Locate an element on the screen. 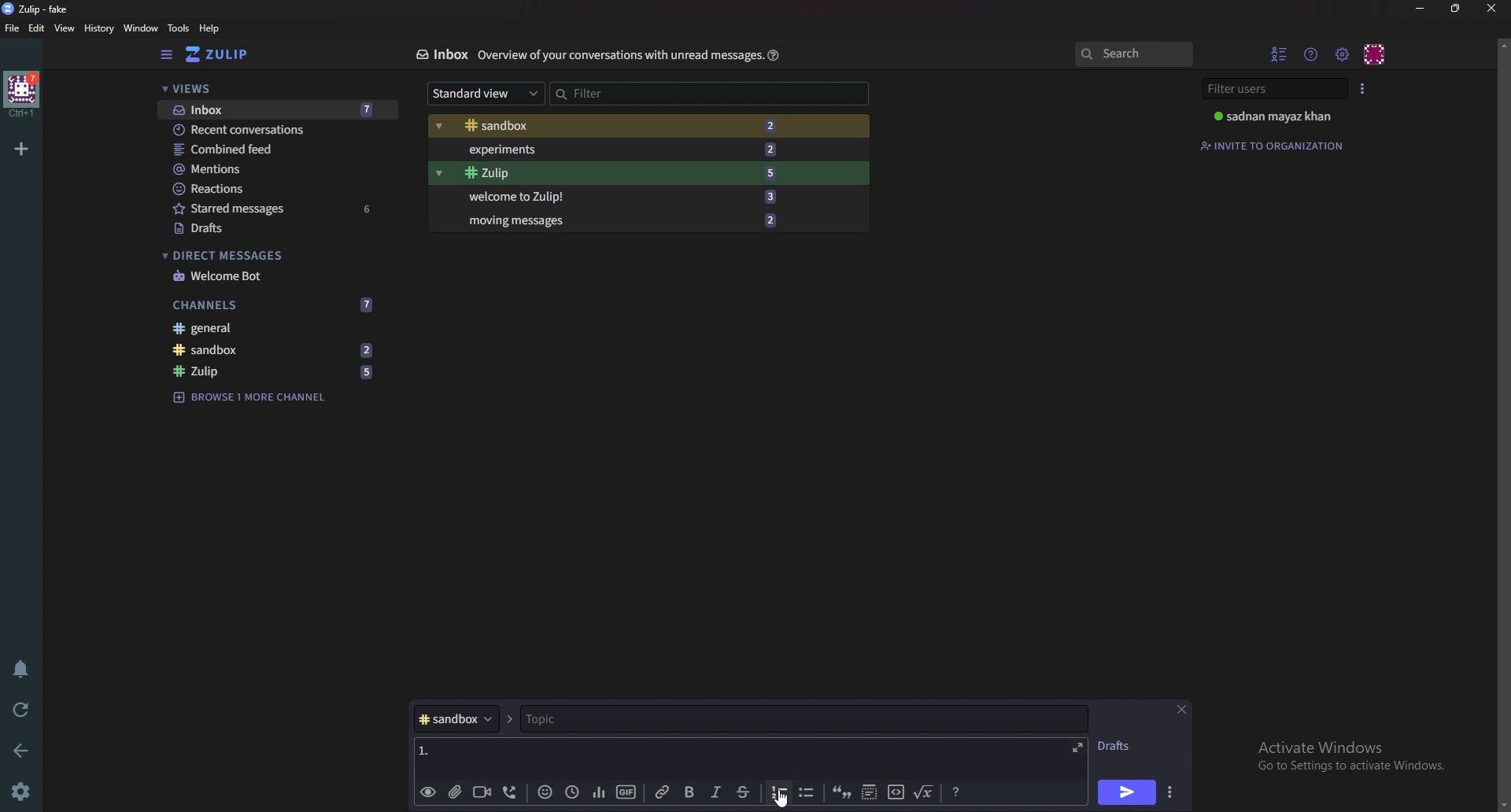  Tools is located at coordinates (178, 28).